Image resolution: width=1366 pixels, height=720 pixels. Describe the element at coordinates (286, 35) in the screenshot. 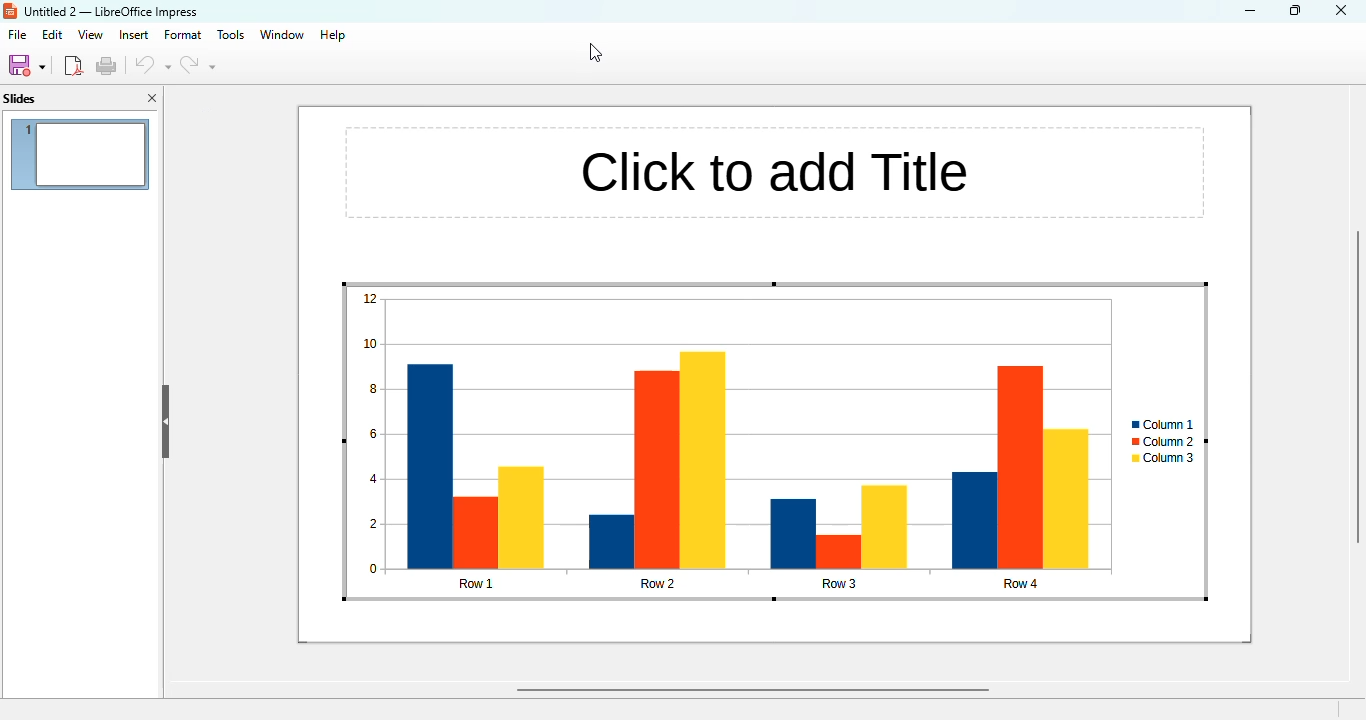

I see `window` at that location.